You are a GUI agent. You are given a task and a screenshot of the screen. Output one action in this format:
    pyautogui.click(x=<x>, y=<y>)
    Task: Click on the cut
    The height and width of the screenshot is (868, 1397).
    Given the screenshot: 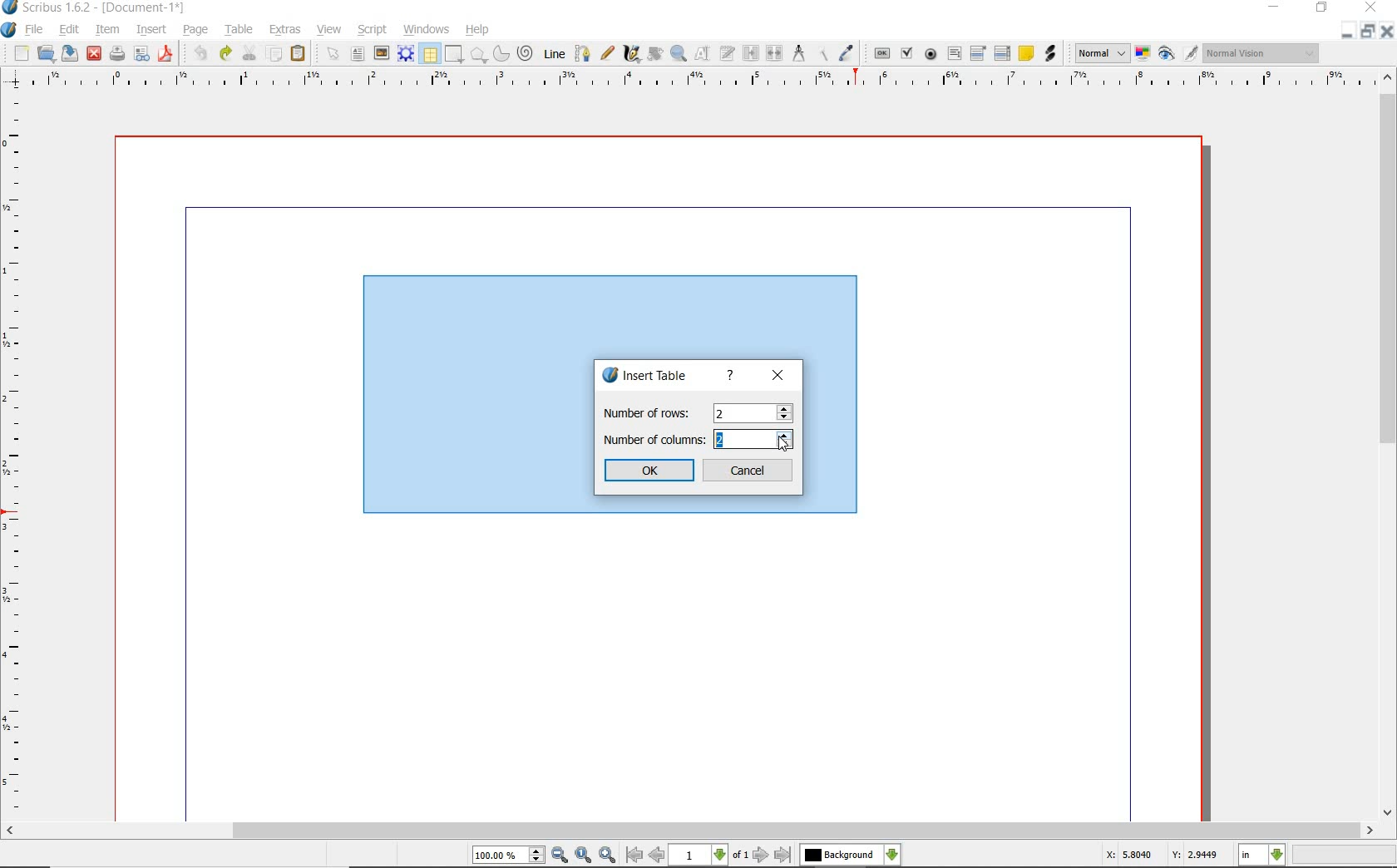 What is the action you would take?
    pyautogui.click(x=251, y=52)
    